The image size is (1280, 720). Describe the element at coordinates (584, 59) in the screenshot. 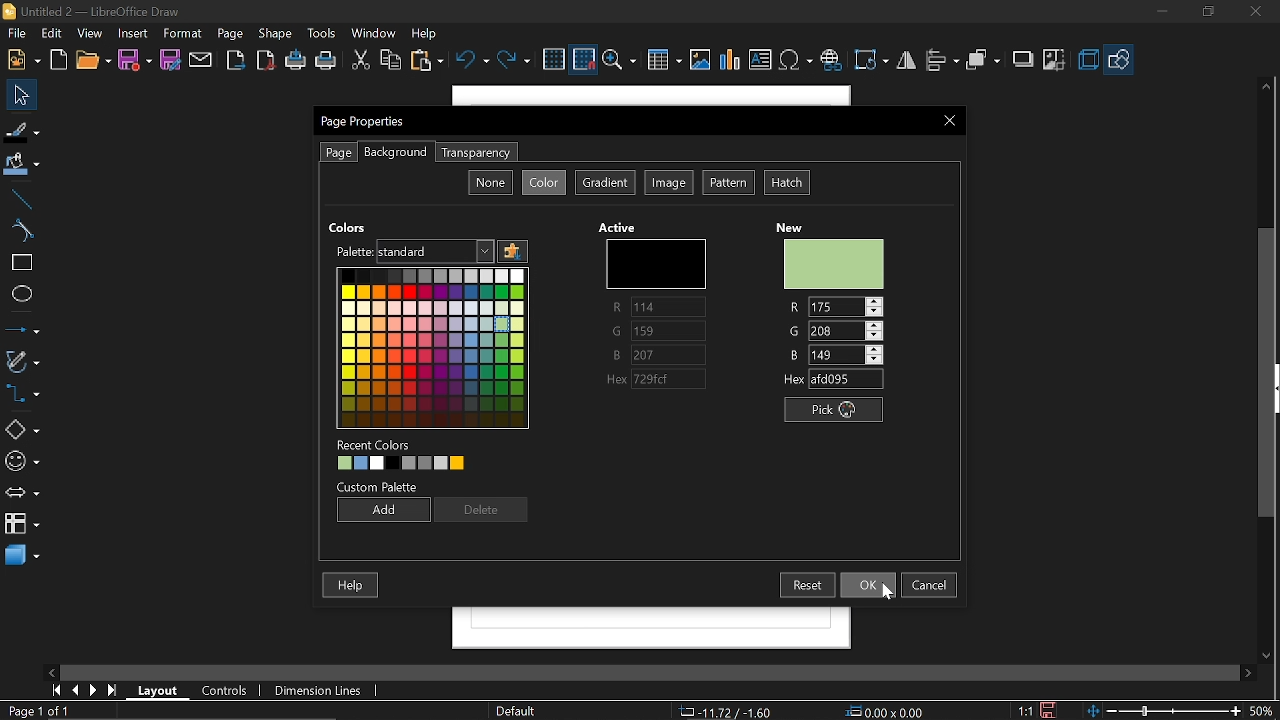

I see `Snap to grid` at that location.